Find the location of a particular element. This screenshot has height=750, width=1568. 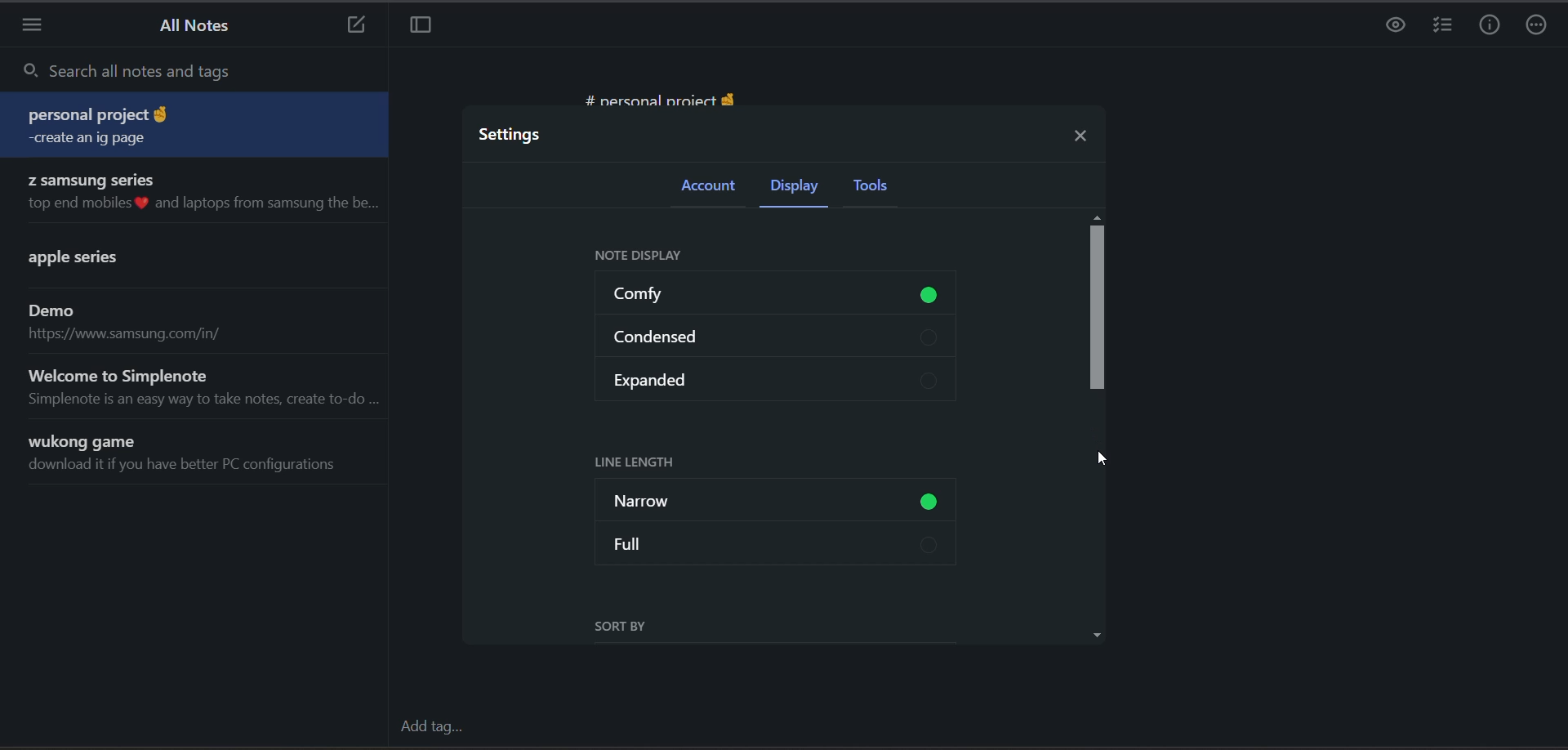

account is located at coordinates (711, 190).